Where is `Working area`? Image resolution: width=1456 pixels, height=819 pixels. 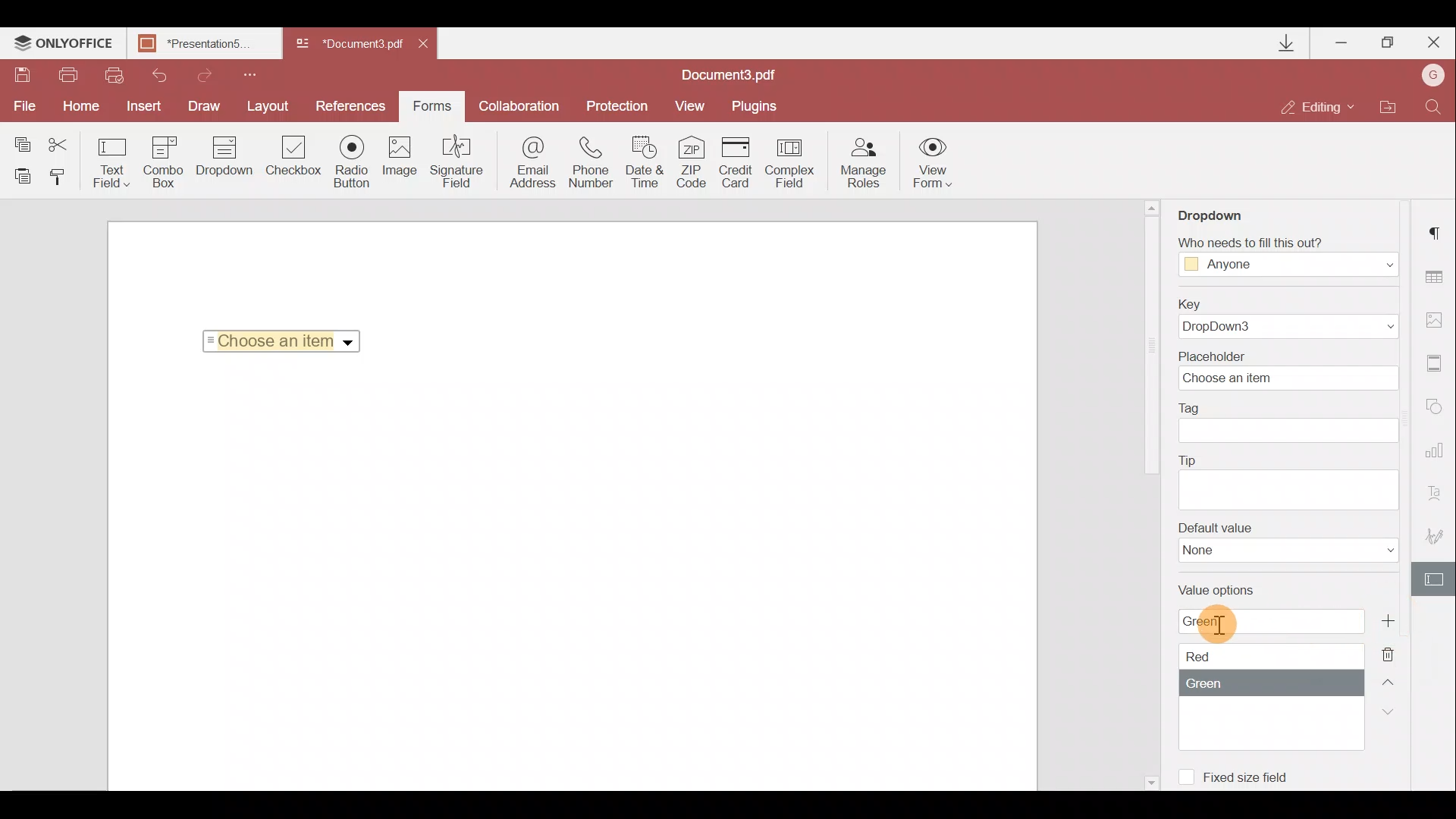 Working area is located at coordinates (570, 579).